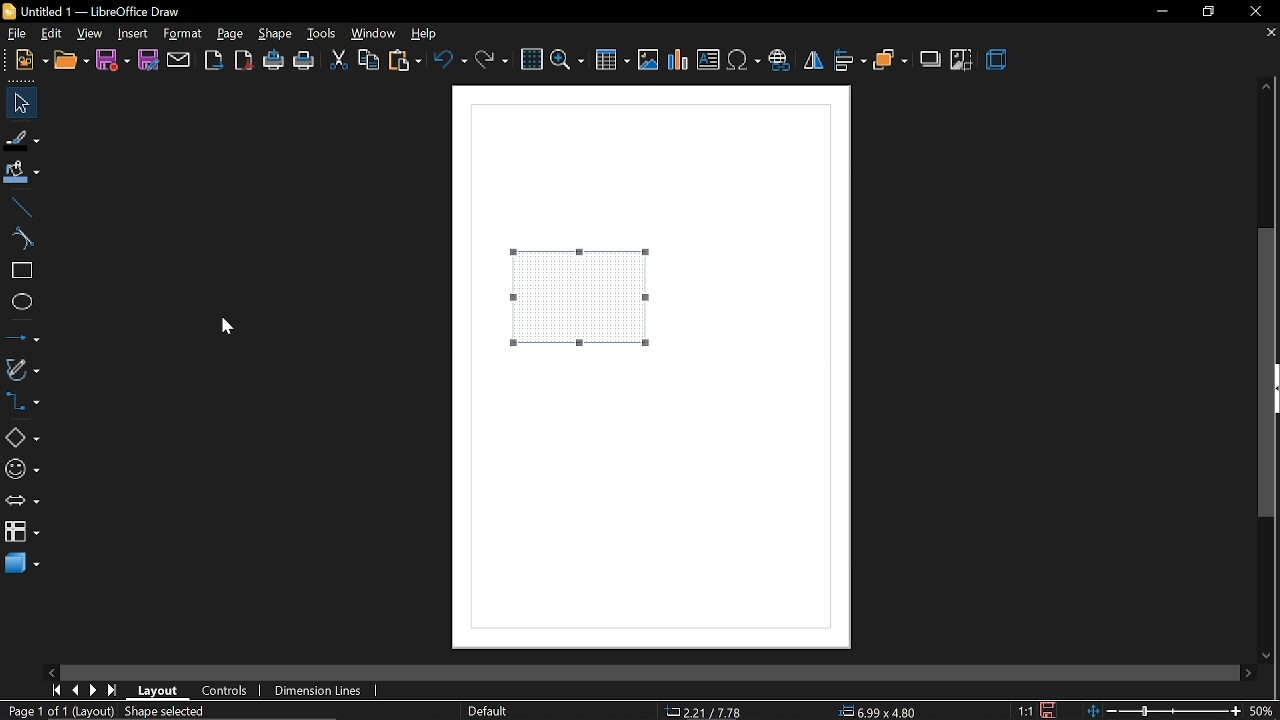  I want to click on save, so click(1049, 707).